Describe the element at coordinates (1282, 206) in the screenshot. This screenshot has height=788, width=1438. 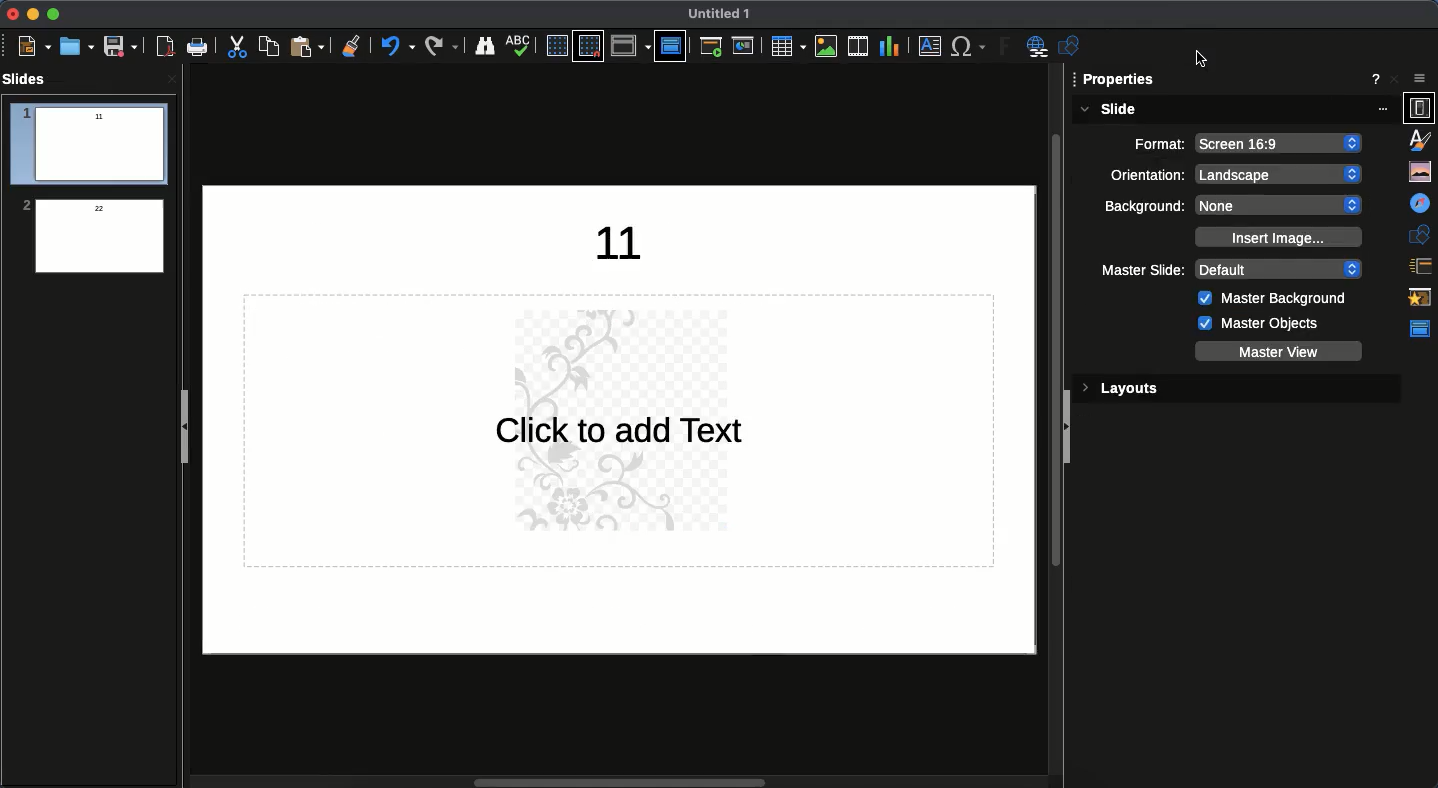
I see `none` at that location.